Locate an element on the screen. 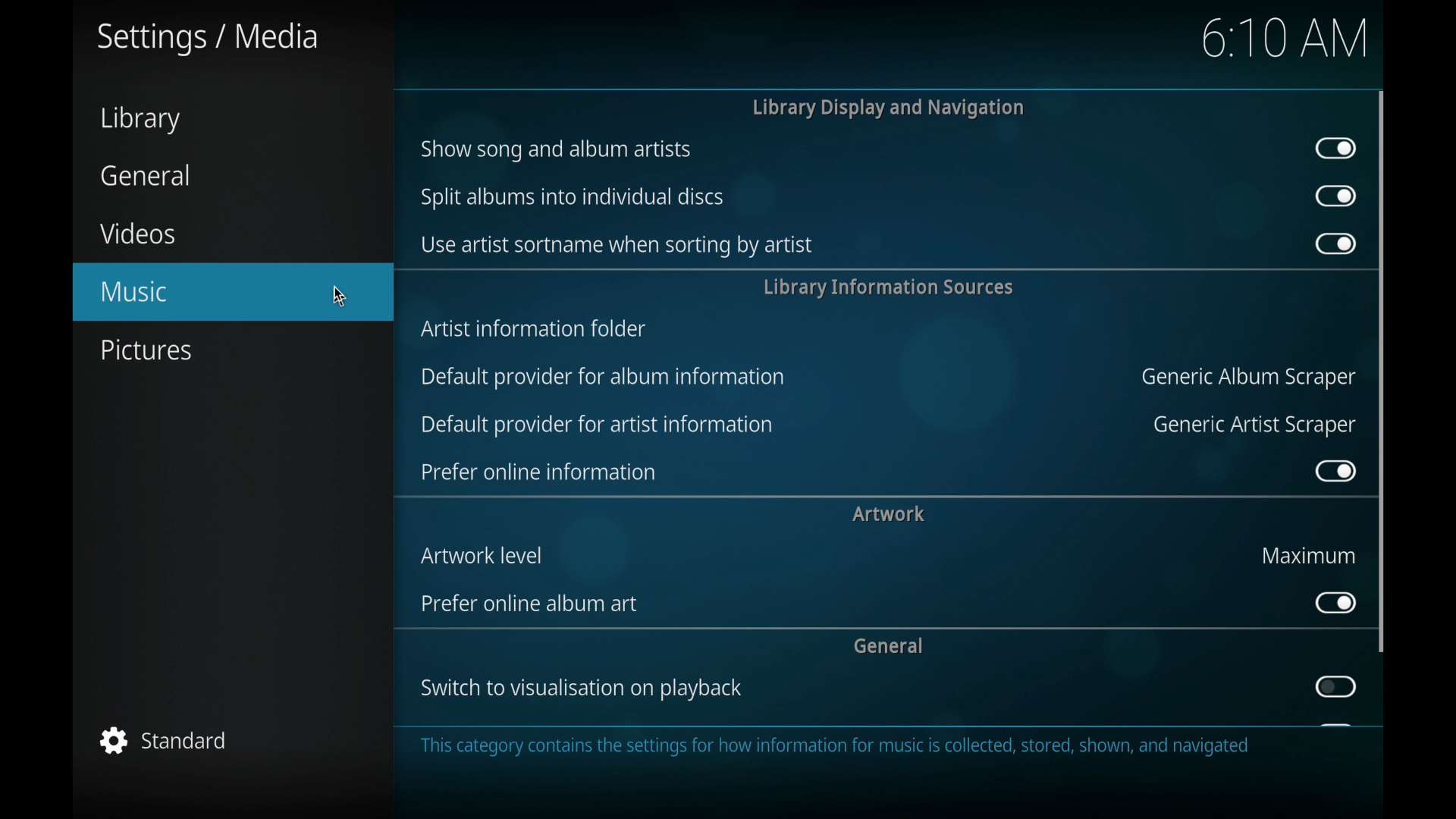  library is located at coordinates (140, 120).